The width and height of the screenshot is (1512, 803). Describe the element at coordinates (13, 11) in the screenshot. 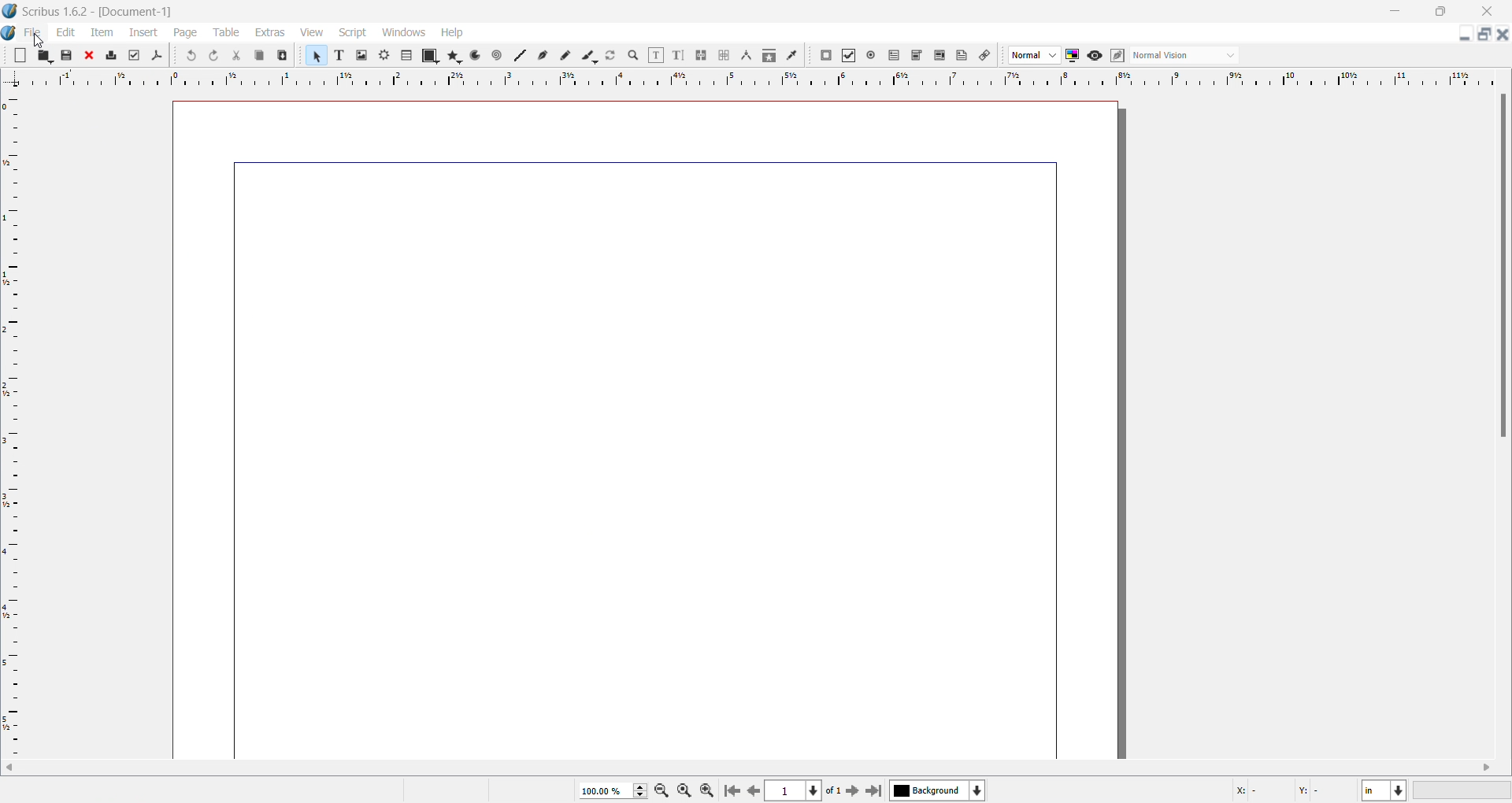

I see `scribus logo` at that location.